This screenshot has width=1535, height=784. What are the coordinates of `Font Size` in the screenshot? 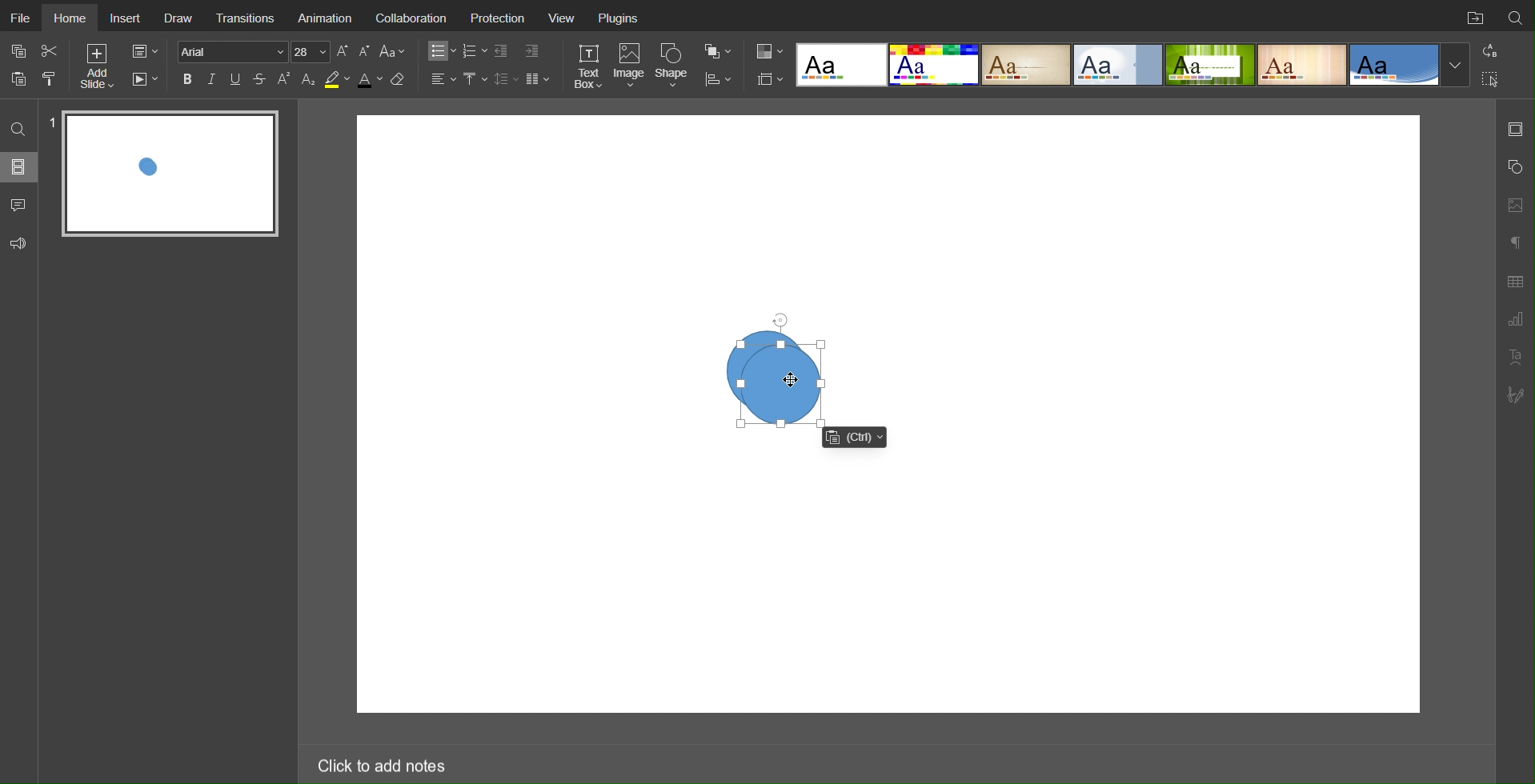 It's located at (353, 51).